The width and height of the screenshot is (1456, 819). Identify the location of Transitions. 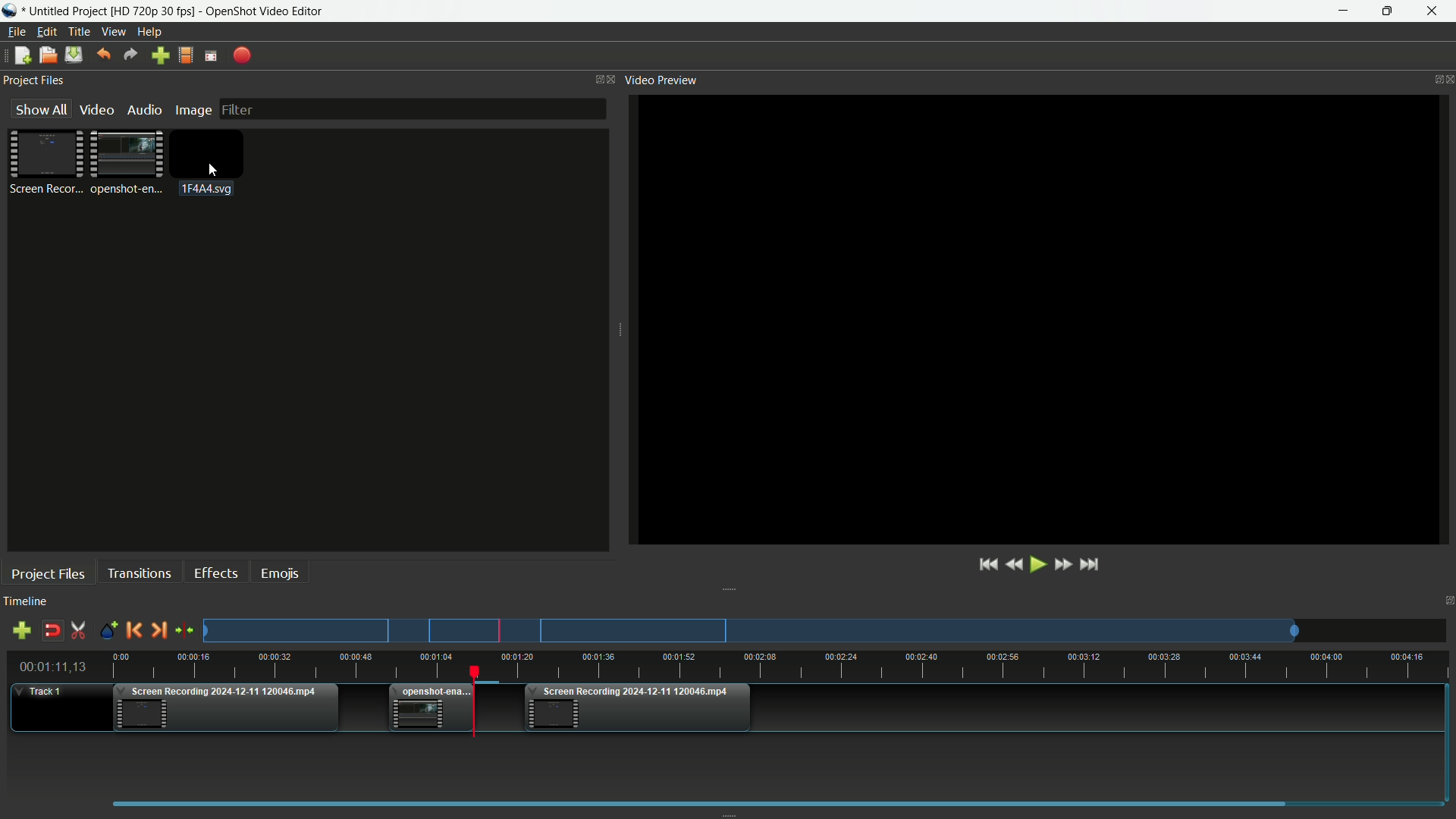
(139, 573).